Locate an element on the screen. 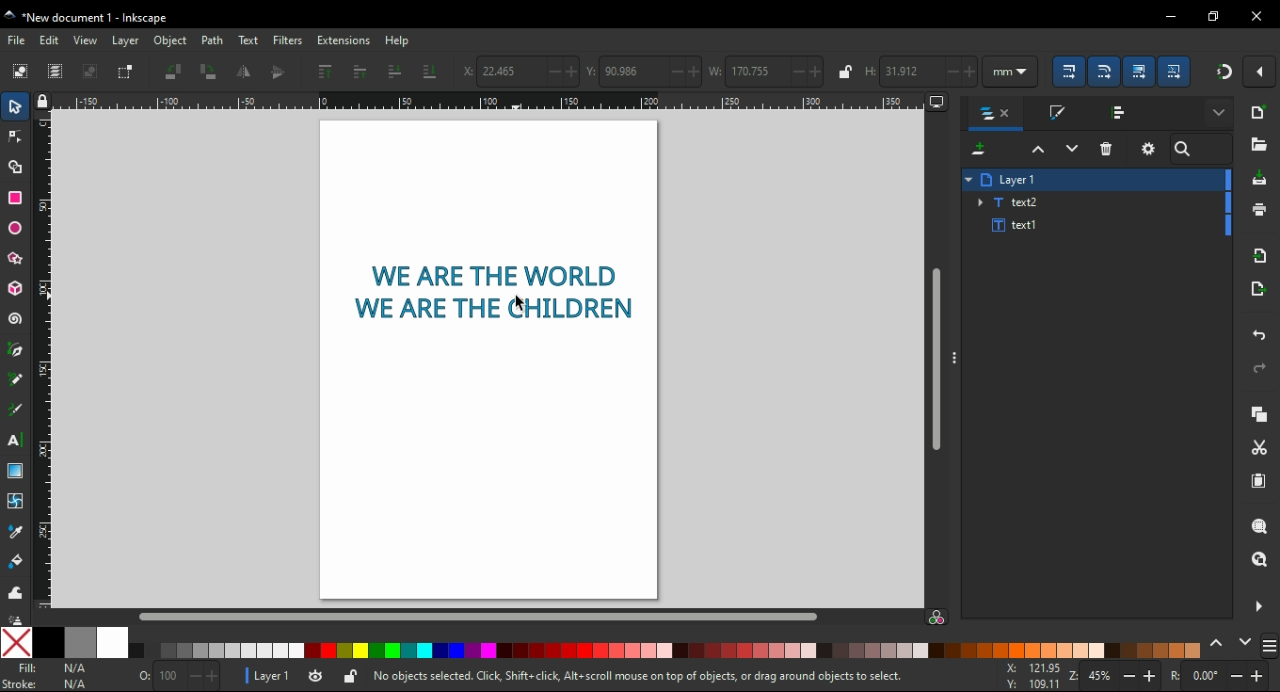 The width and height of the screenshot is (1280, 692). spiral tool is located at coordinates (13, 319).